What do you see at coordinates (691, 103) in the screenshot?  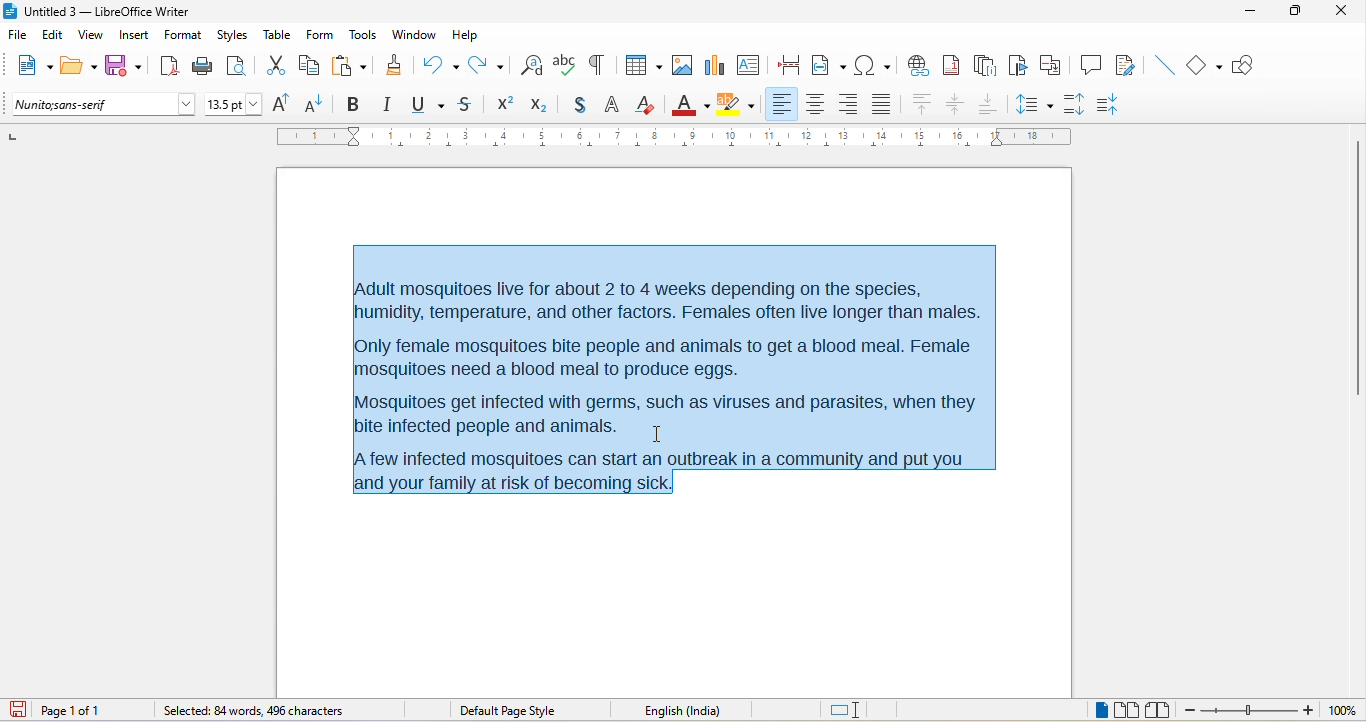 I see `font color` at bounding box center [691, 103].